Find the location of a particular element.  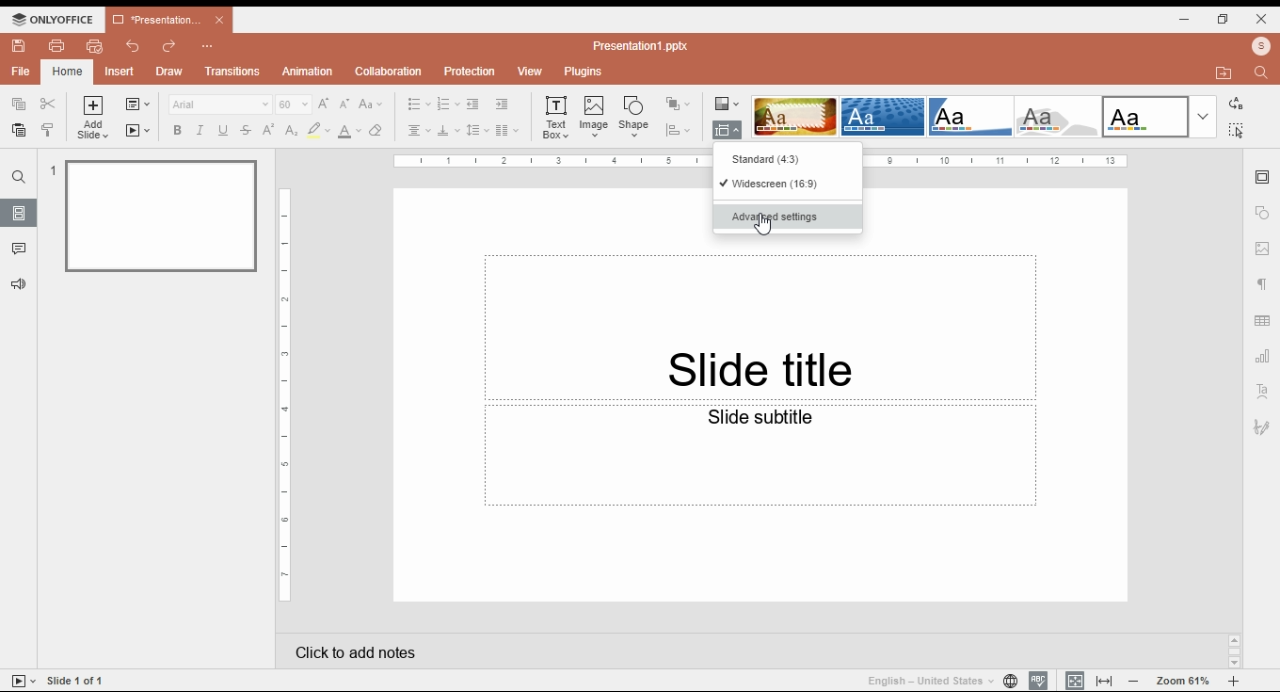

increment font size is located at coordinates (323, 103).